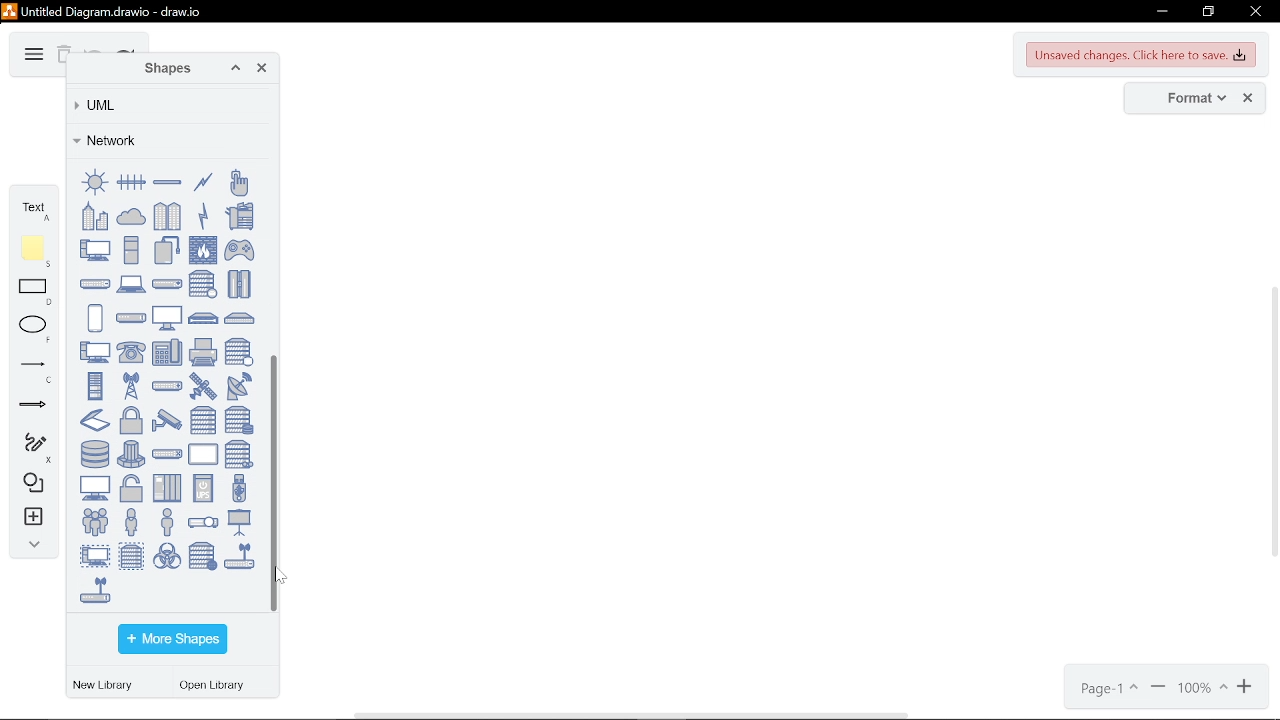 This screenshot has width=1280, height=720. I want to click on user female, so click(131, 521).